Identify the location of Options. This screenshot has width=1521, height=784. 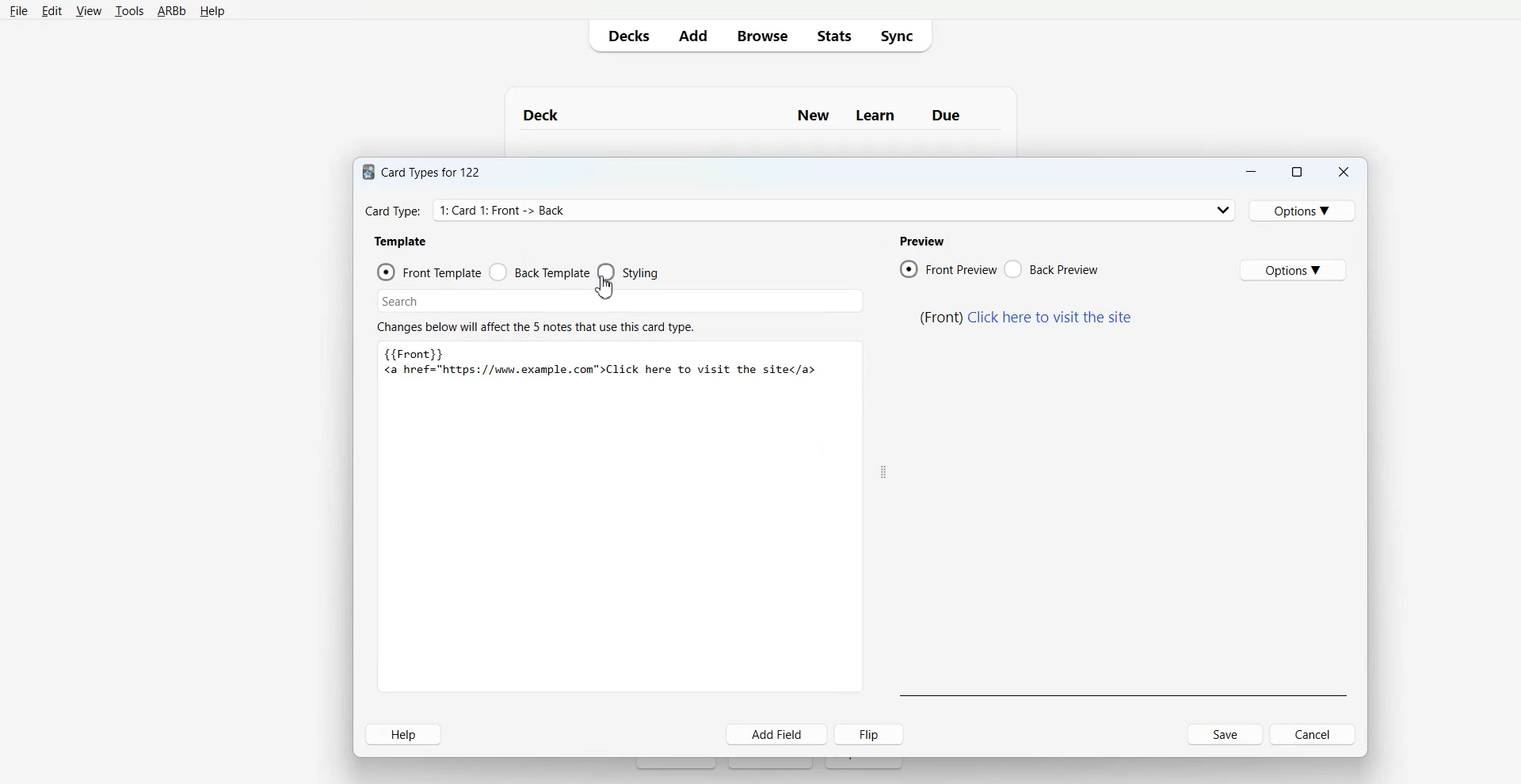
(1302, 211).